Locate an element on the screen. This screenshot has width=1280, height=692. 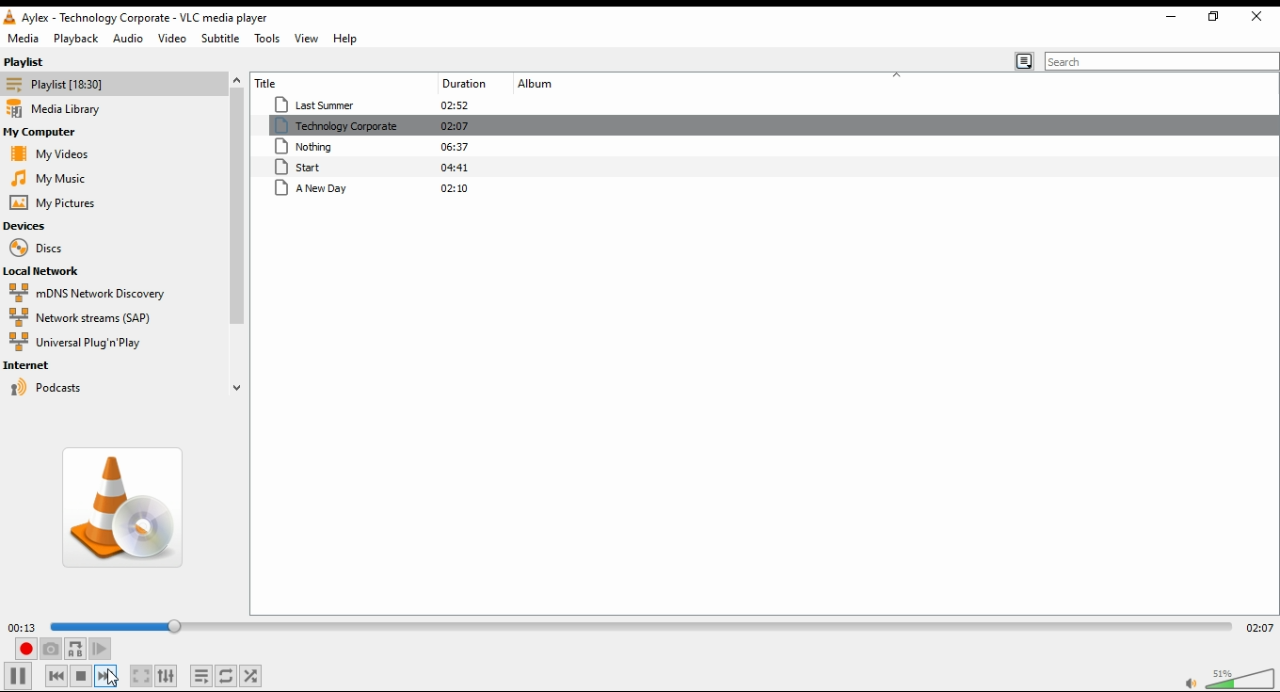
restore is located at coordinates (1208, 18).